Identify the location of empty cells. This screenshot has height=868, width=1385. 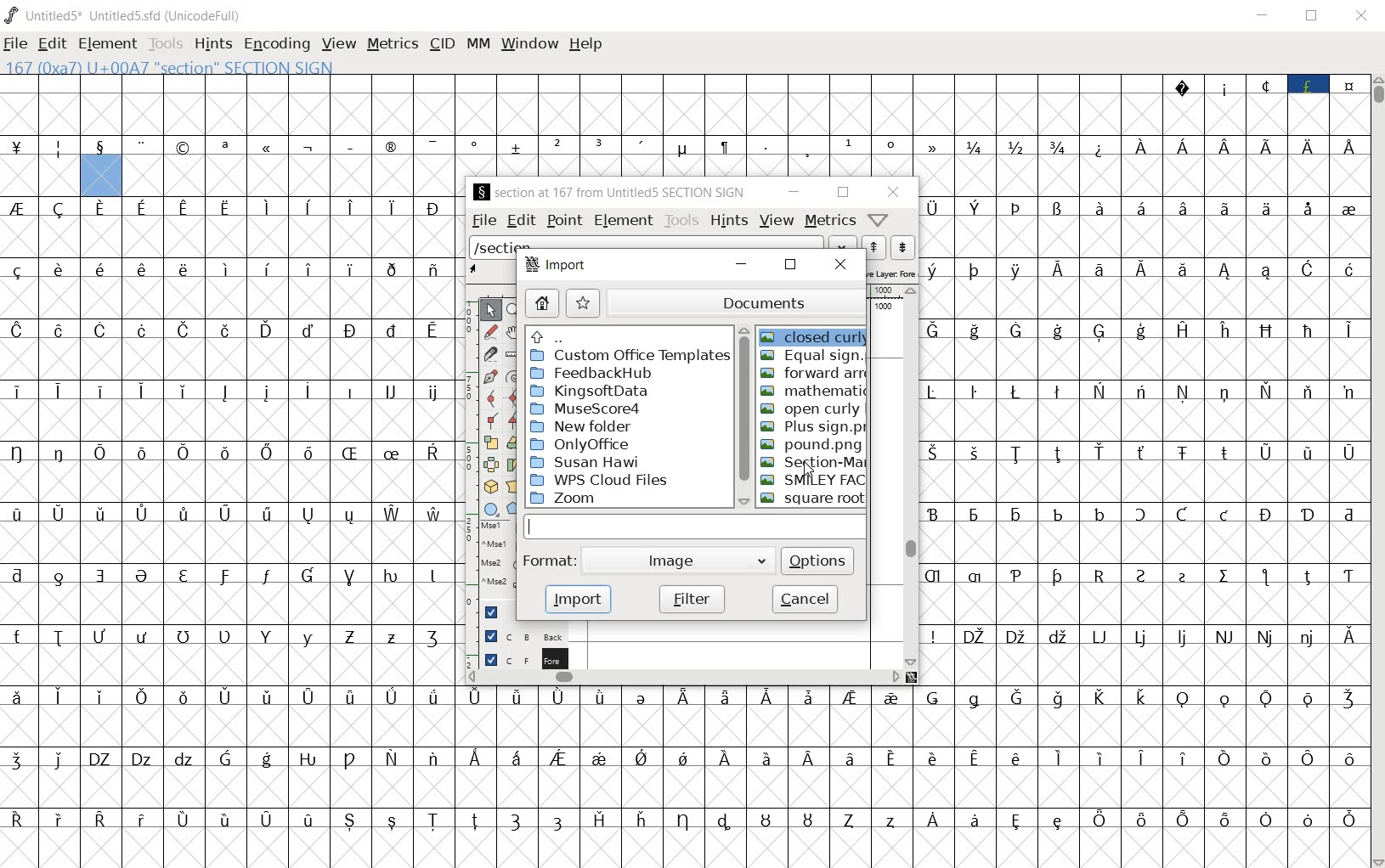
(1145, 300).